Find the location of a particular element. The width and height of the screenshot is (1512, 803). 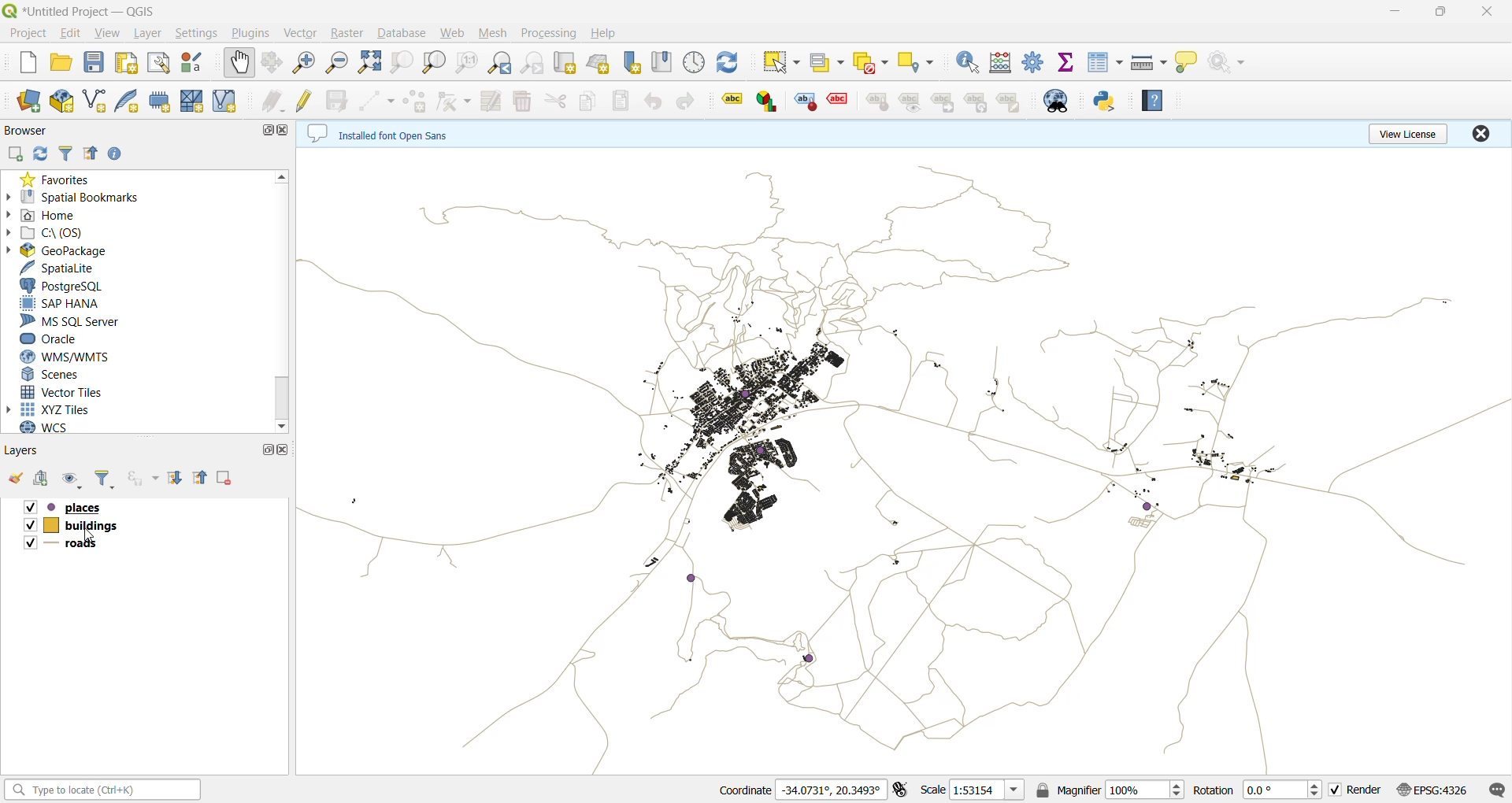

wms/wmts is located at coordinates (65, 356).